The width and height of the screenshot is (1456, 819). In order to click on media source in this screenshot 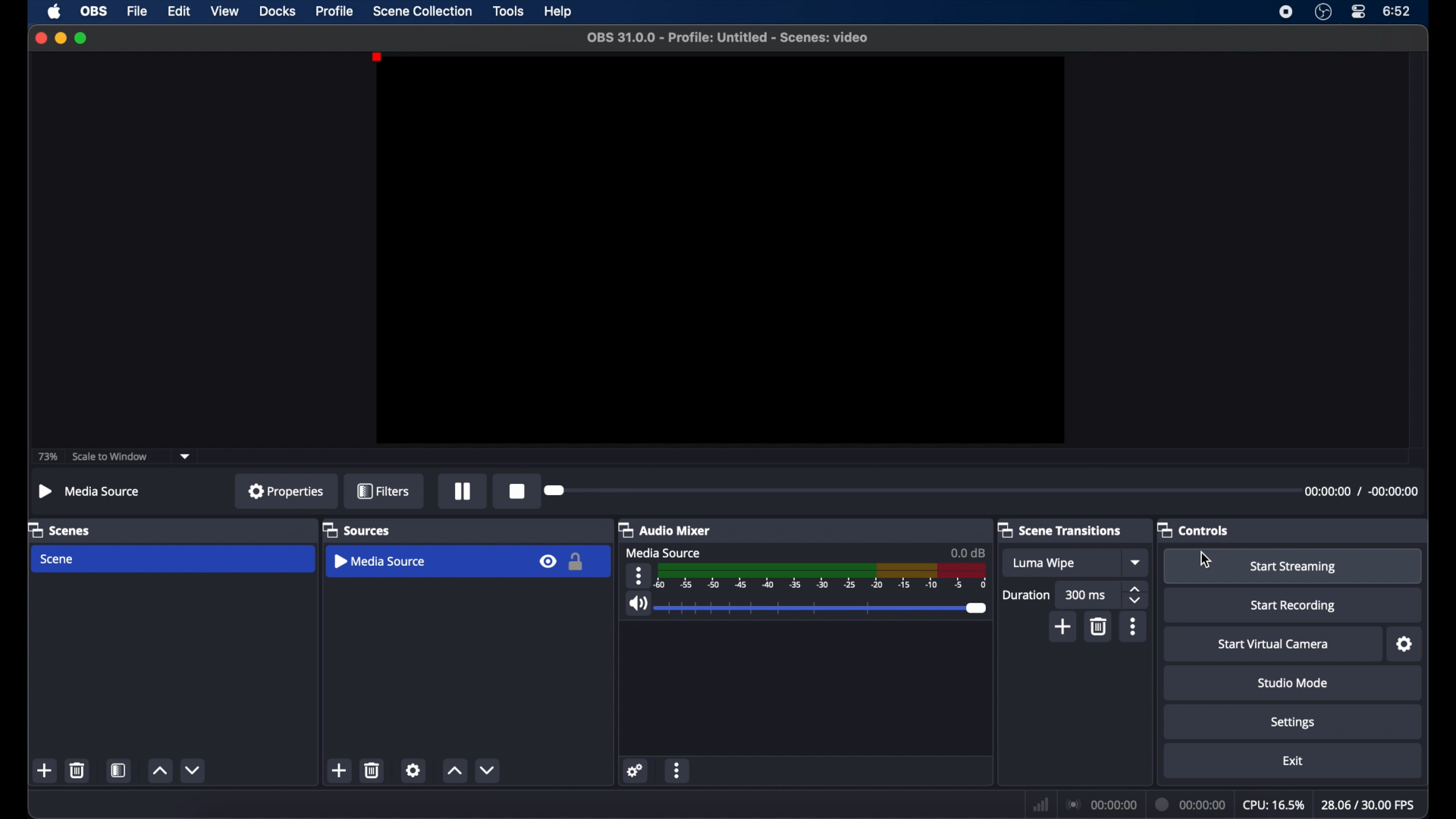, I will do `click(666, 552)`.